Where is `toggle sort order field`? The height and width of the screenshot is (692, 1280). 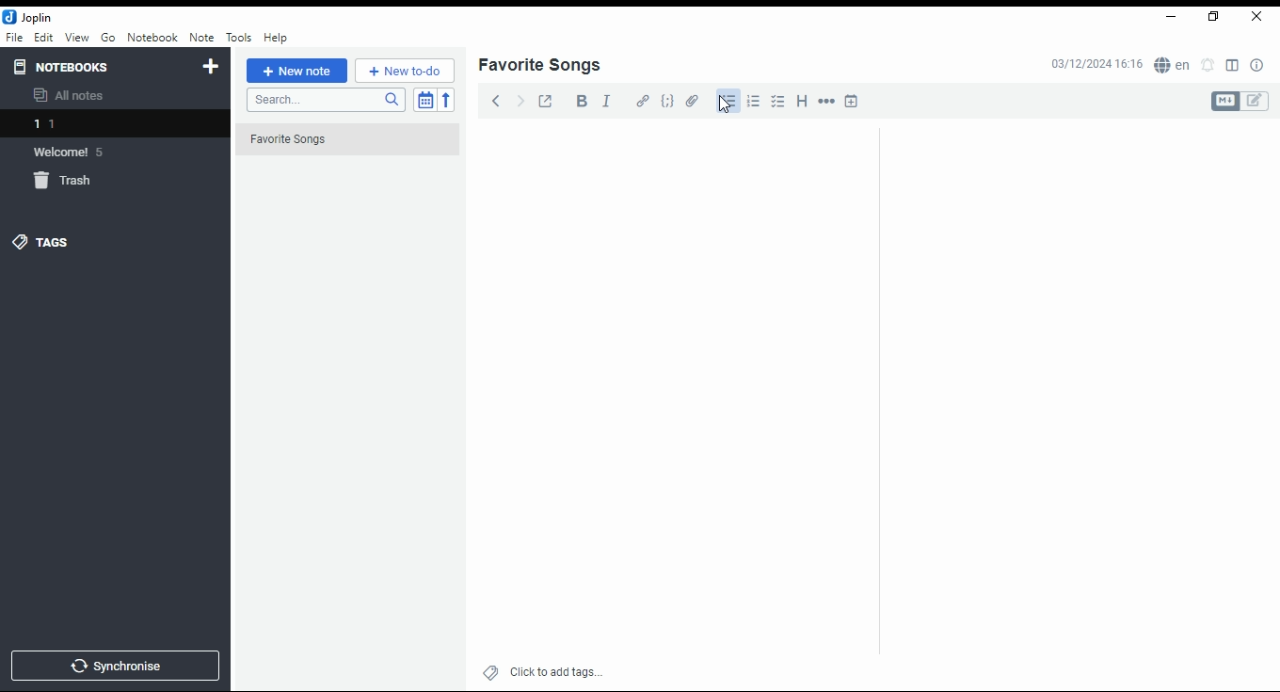
toggle sort order field is located at coordinates (425, 100).